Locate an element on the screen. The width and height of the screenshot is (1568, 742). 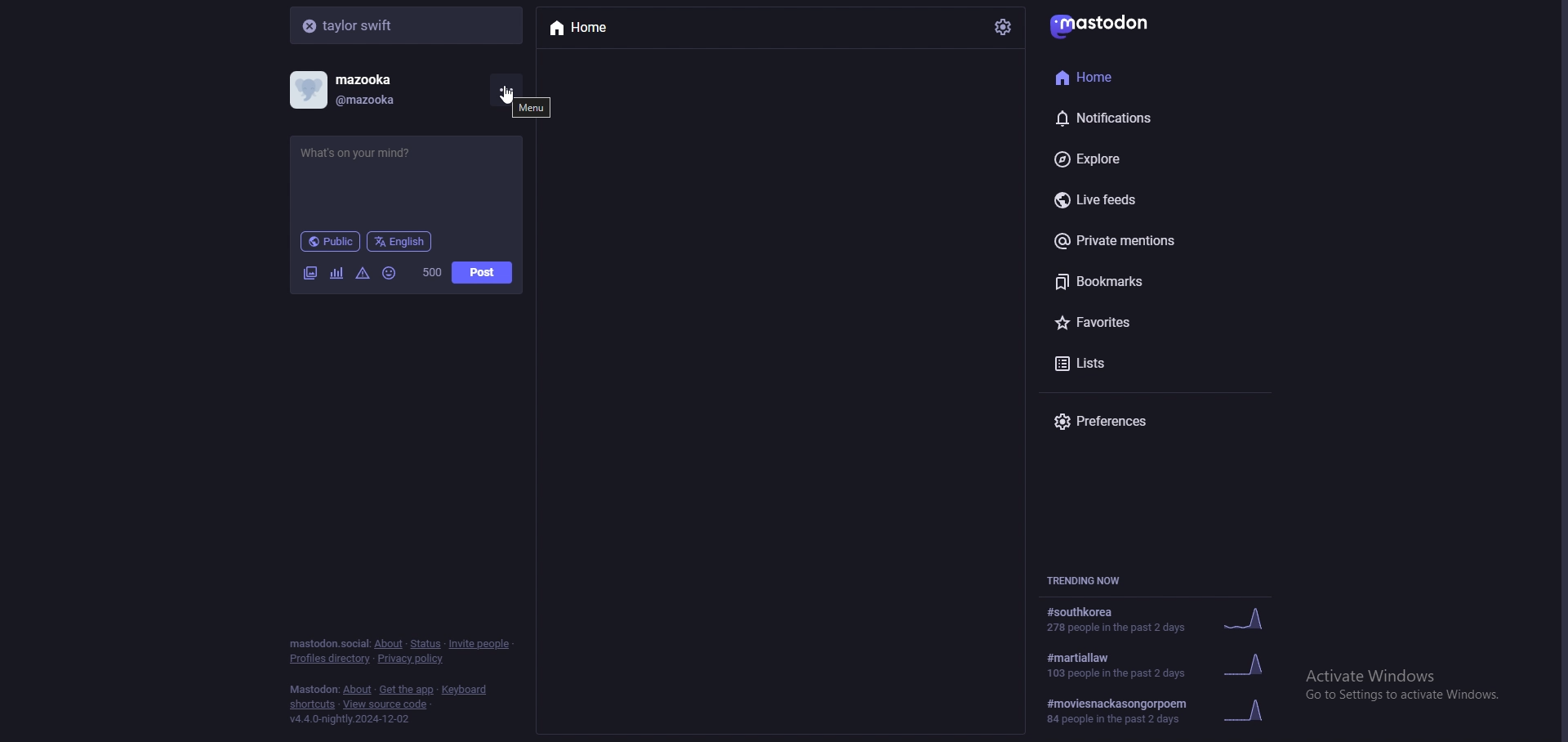
more options is located at coordinates (505, 89).